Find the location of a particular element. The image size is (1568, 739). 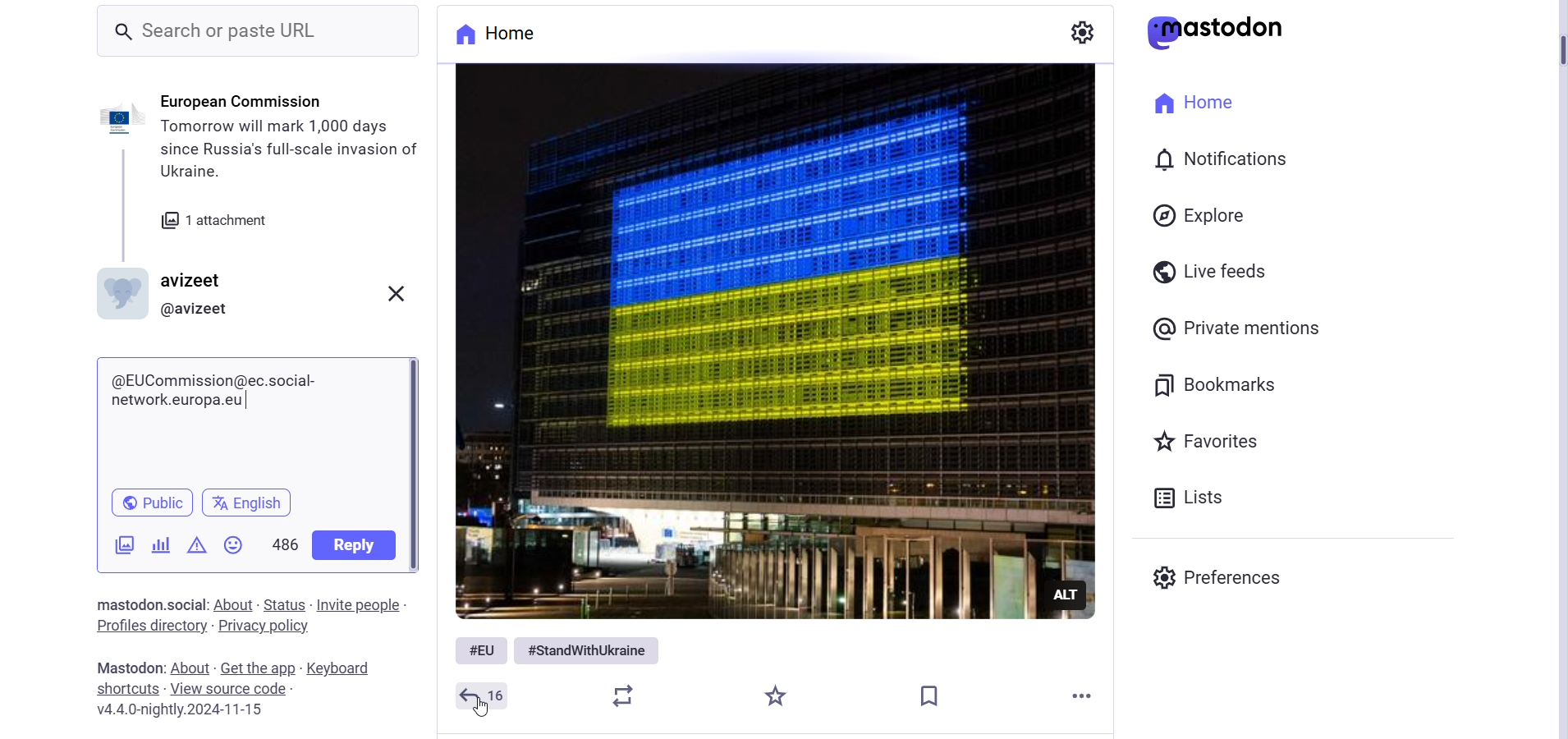

Reply Bar is located at coordinates (258, 418).